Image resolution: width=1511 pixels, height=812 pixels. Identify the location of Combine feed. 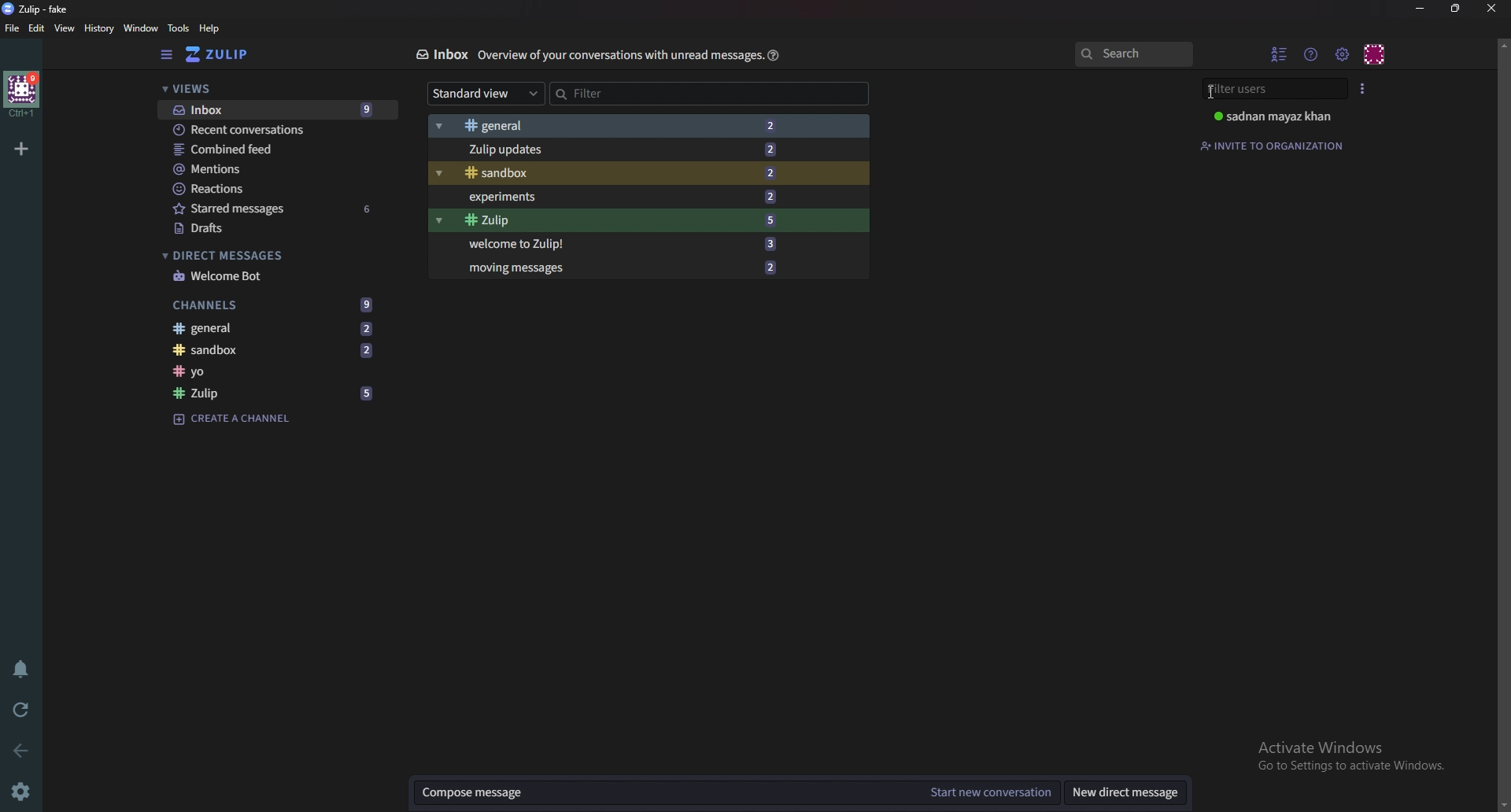
(269, 148).